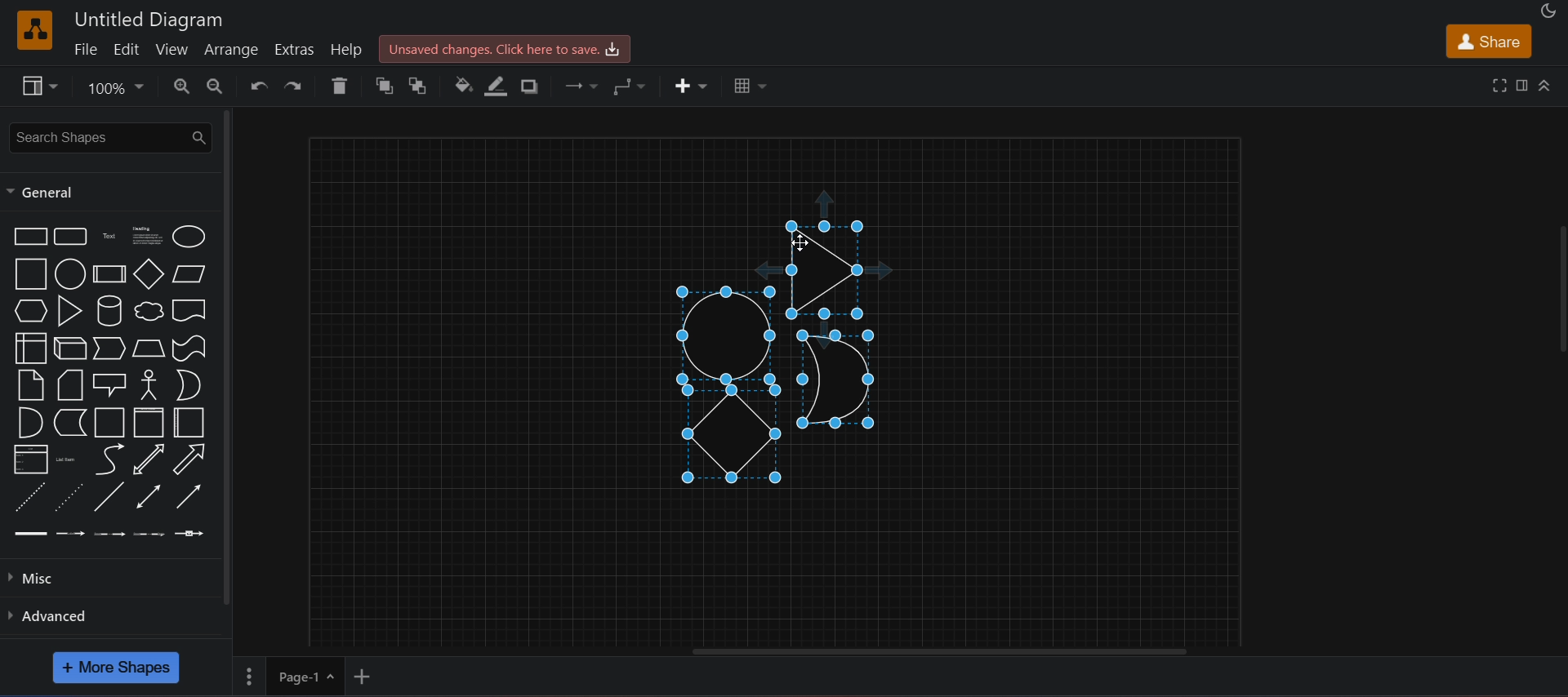 The height and width of the screenshot is (697, 1568). Describe the element at coordinates (42, 88) in the screenshot. I see `view` at that location.